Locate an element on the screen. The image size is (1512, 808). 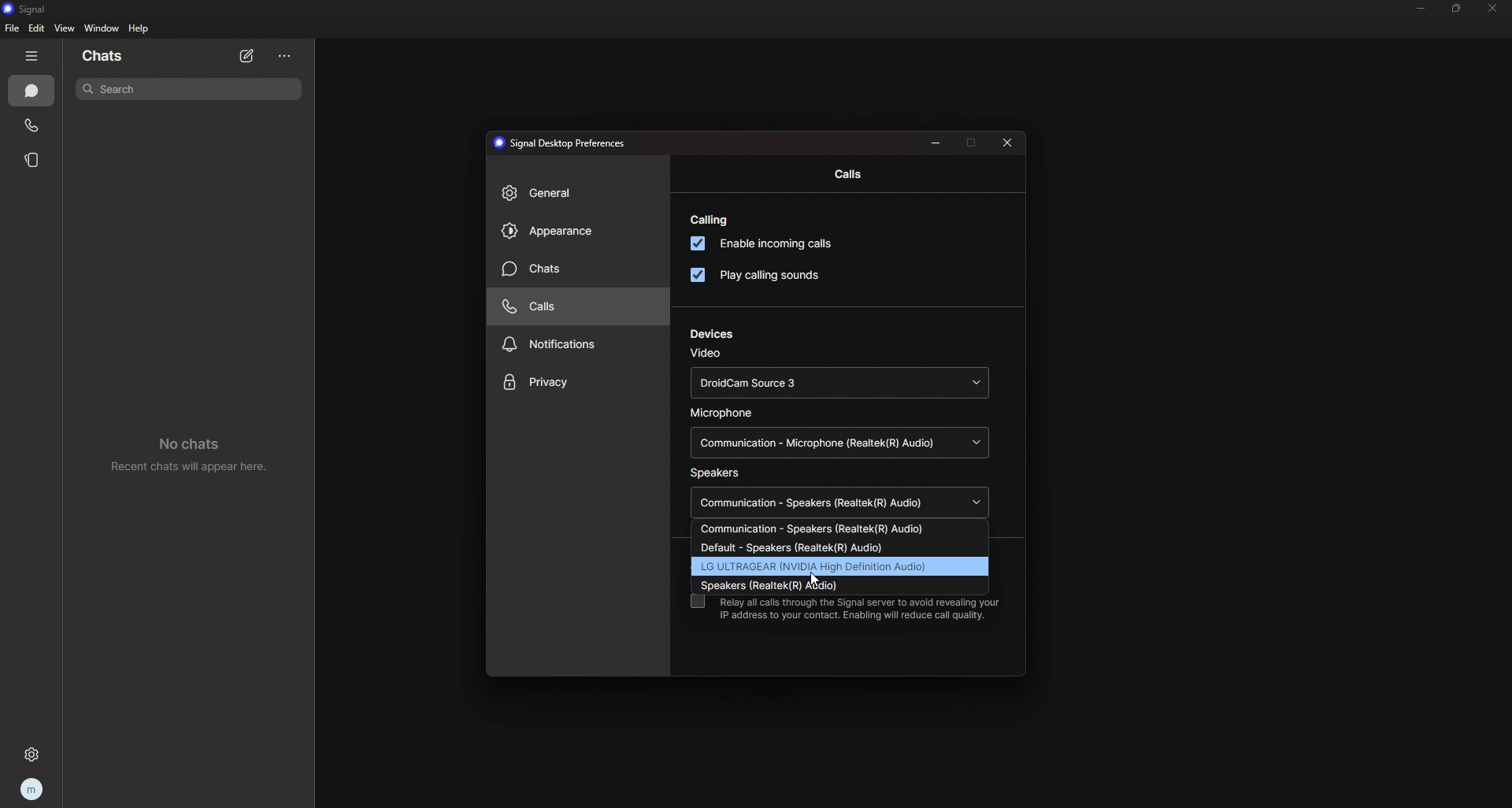
maximize is located at coordinates (973, 142).